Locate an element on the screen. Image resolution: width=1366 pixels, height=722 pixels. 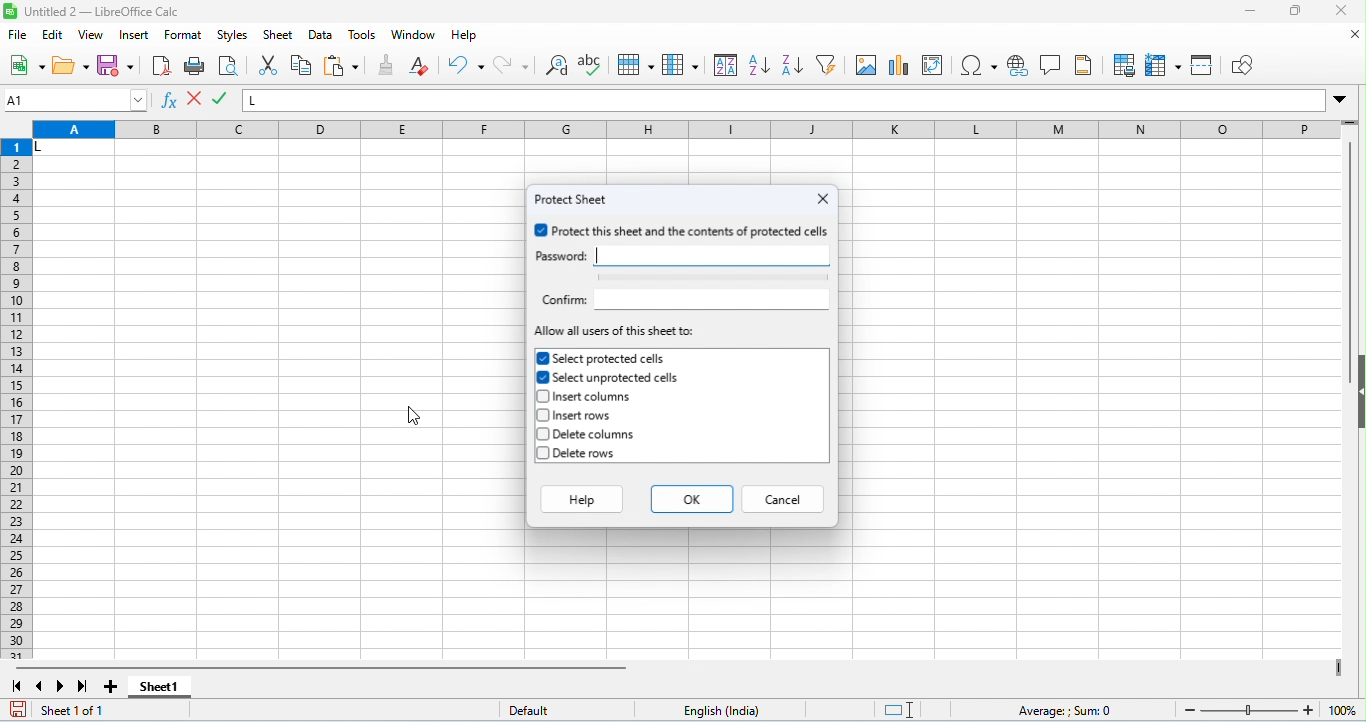
freeze rows and columns is located at coordinates (1165, 66).